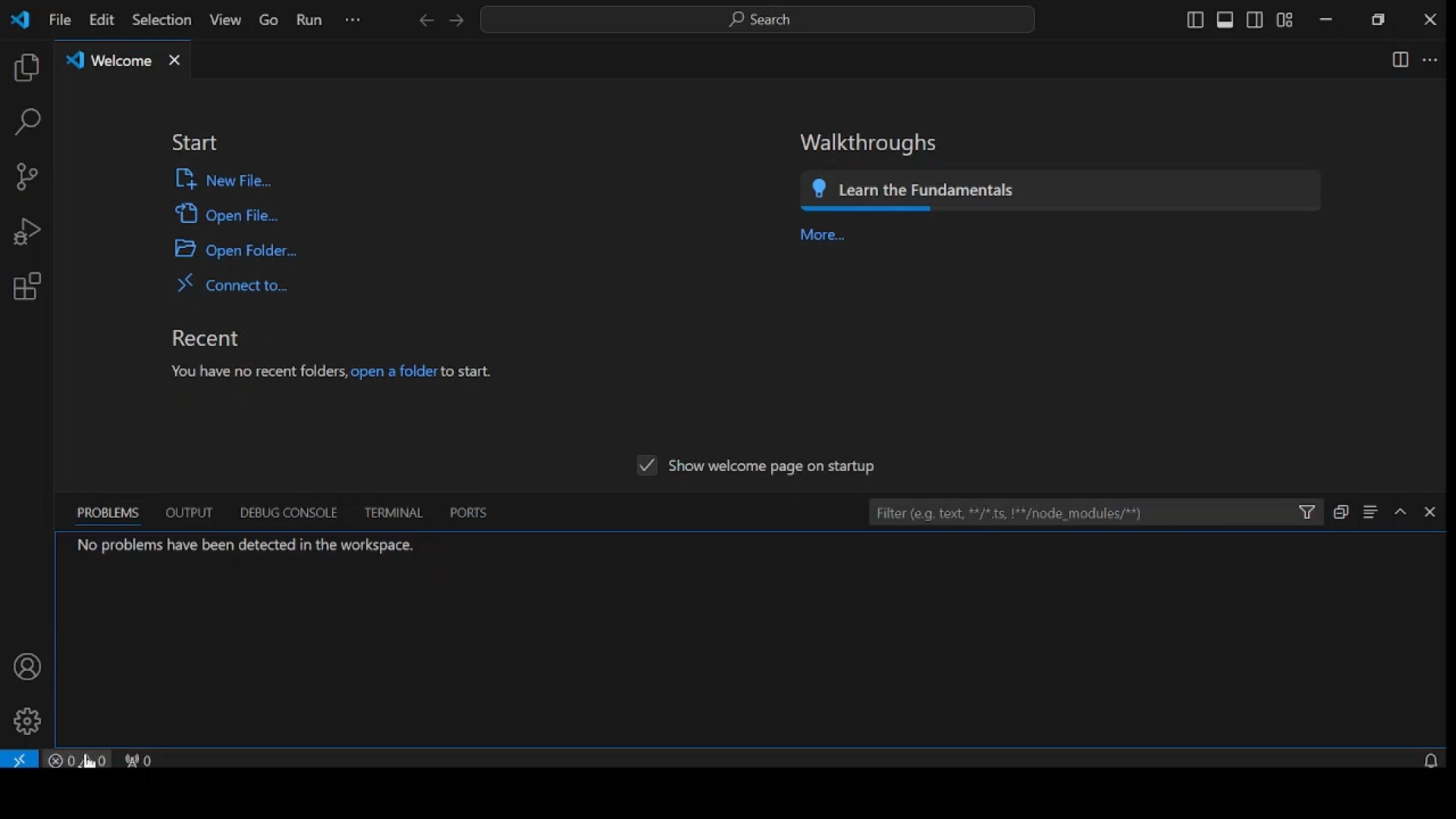  Describe the element at coordinates (775, 467) in the screenshot. I see `Show welcome page on startup` at that location.